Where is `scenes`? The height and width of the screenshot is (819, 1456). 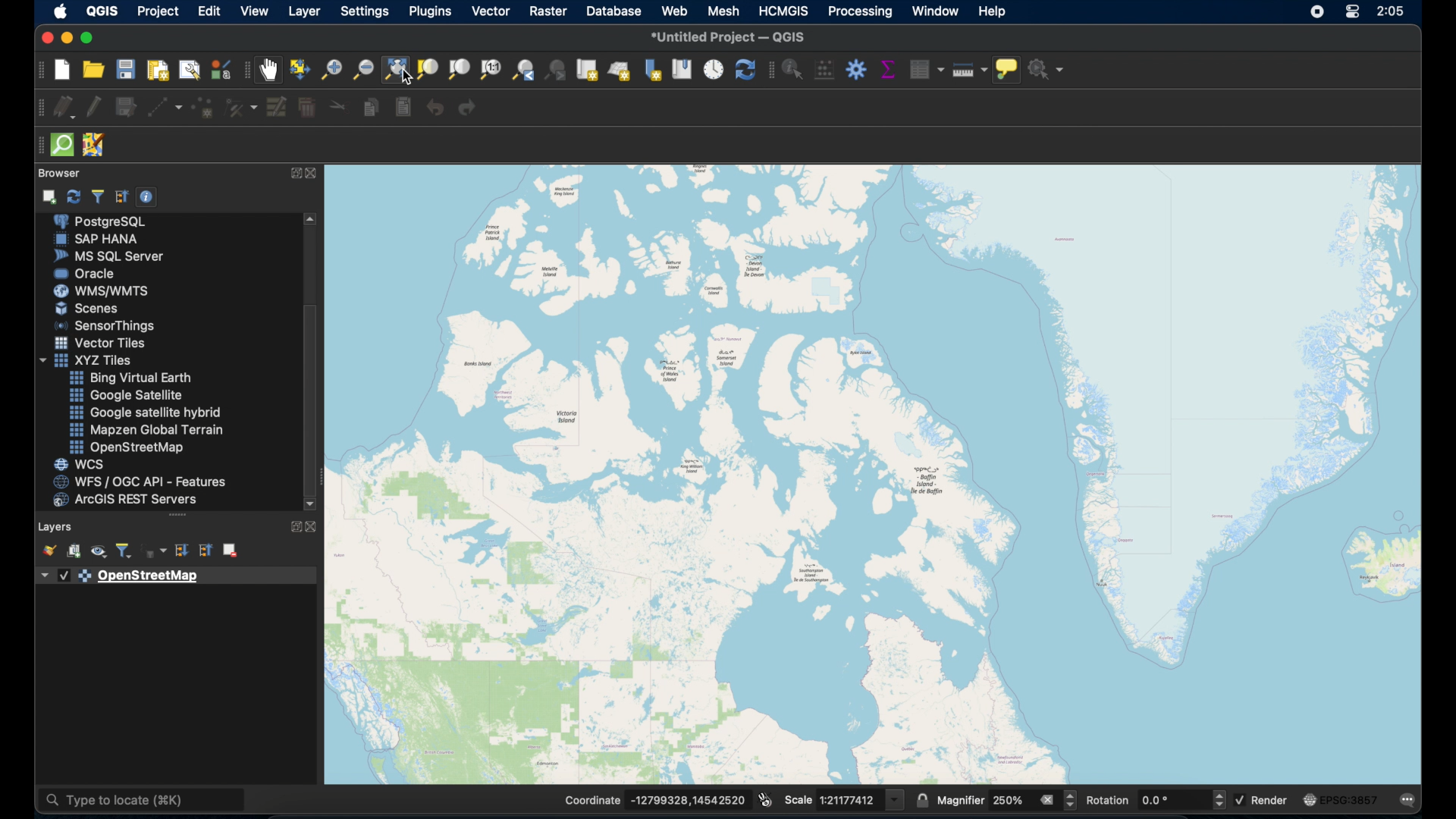
scenes is located at coordinates (89, 309).